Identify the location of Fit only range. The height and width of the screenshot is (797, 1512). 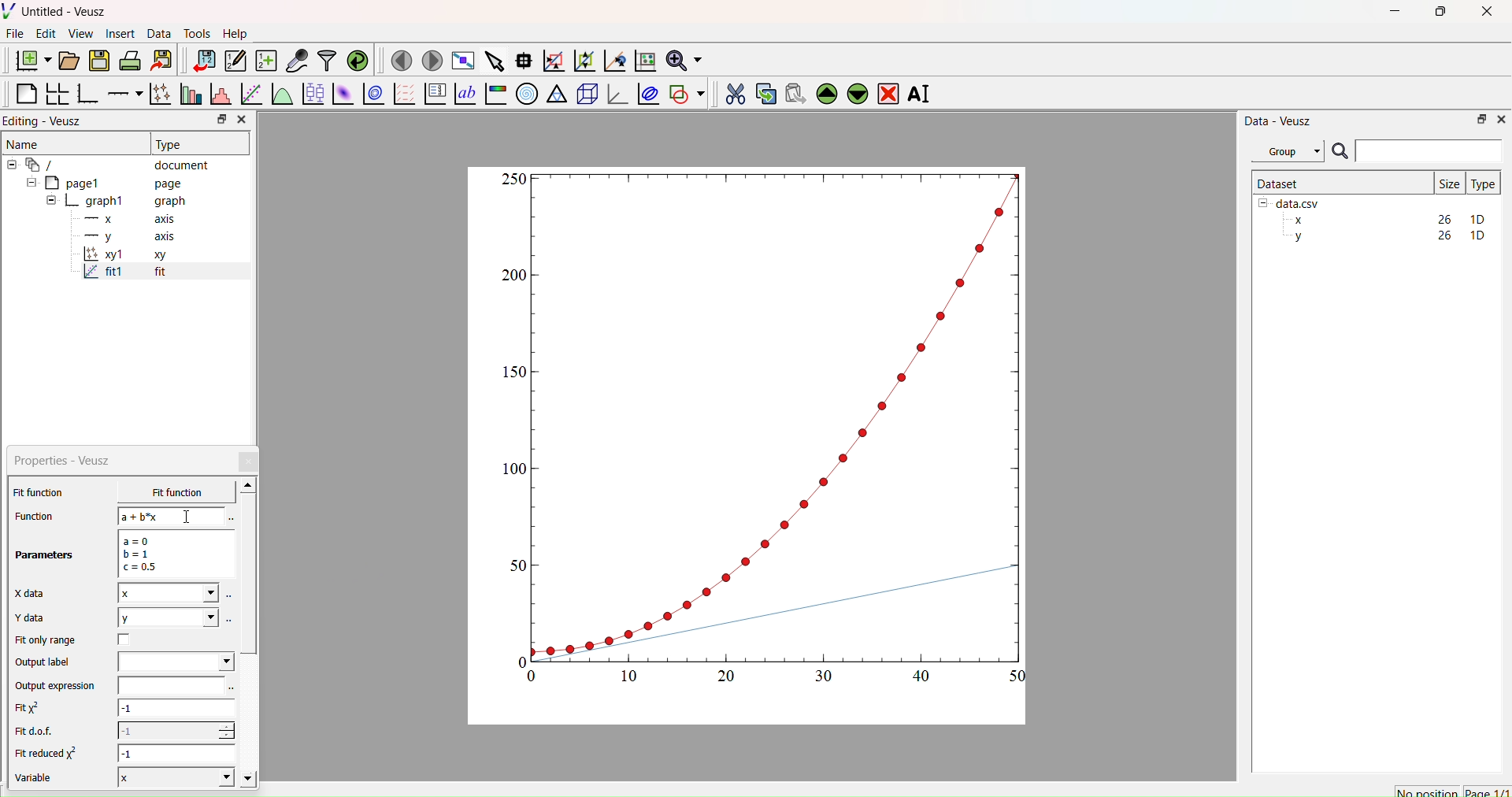
(46, 640).